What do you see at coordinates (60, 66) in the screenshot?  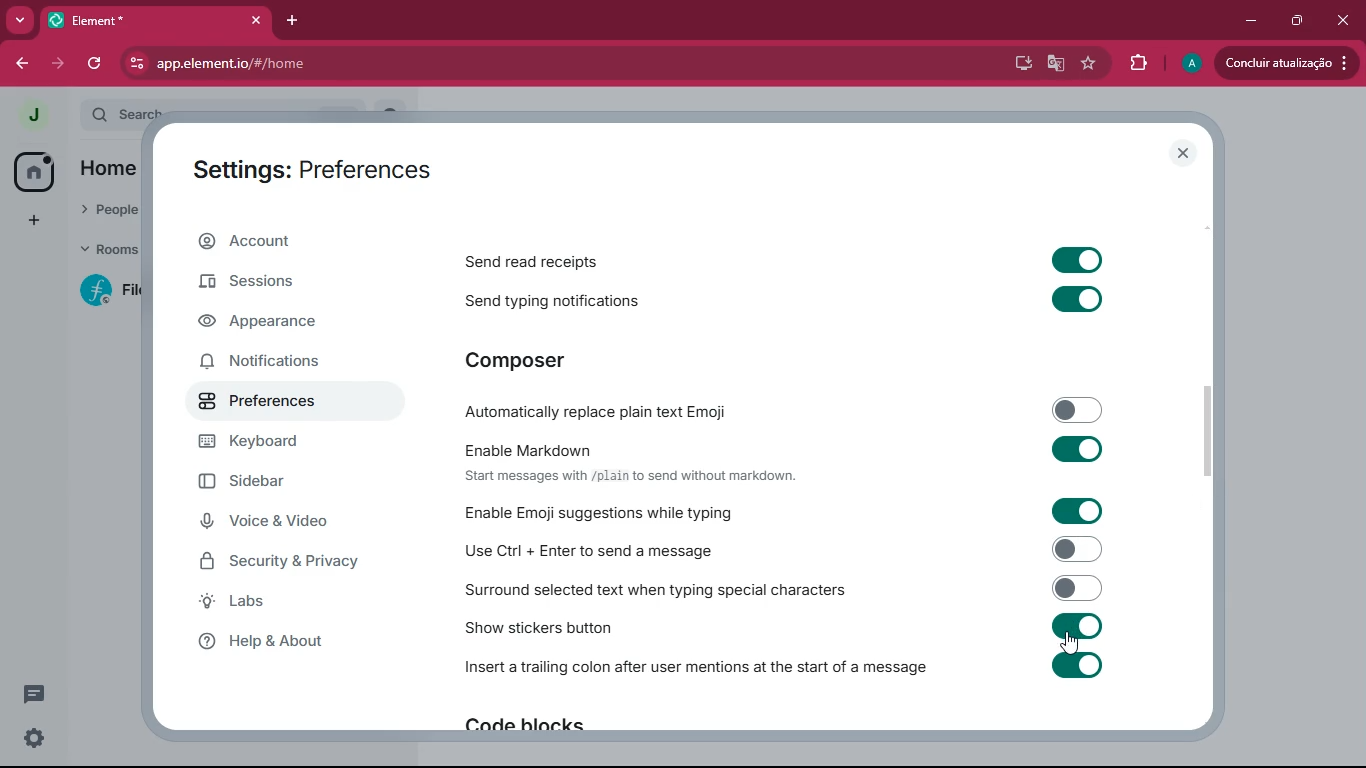 I see `forward` at bounding box center [60, 66].